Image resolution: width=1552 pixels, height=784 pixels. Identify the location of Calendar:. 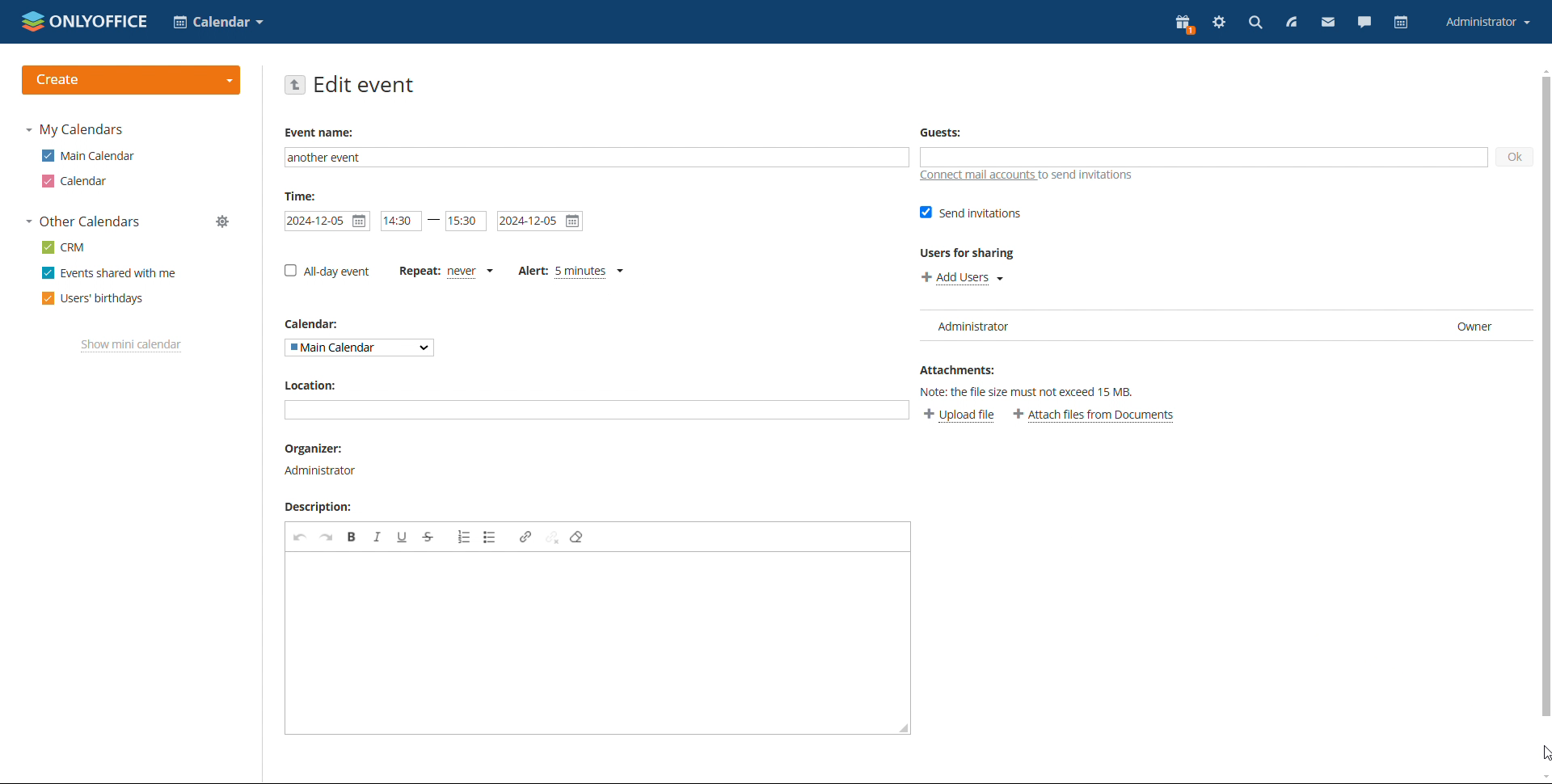
(318, 324).